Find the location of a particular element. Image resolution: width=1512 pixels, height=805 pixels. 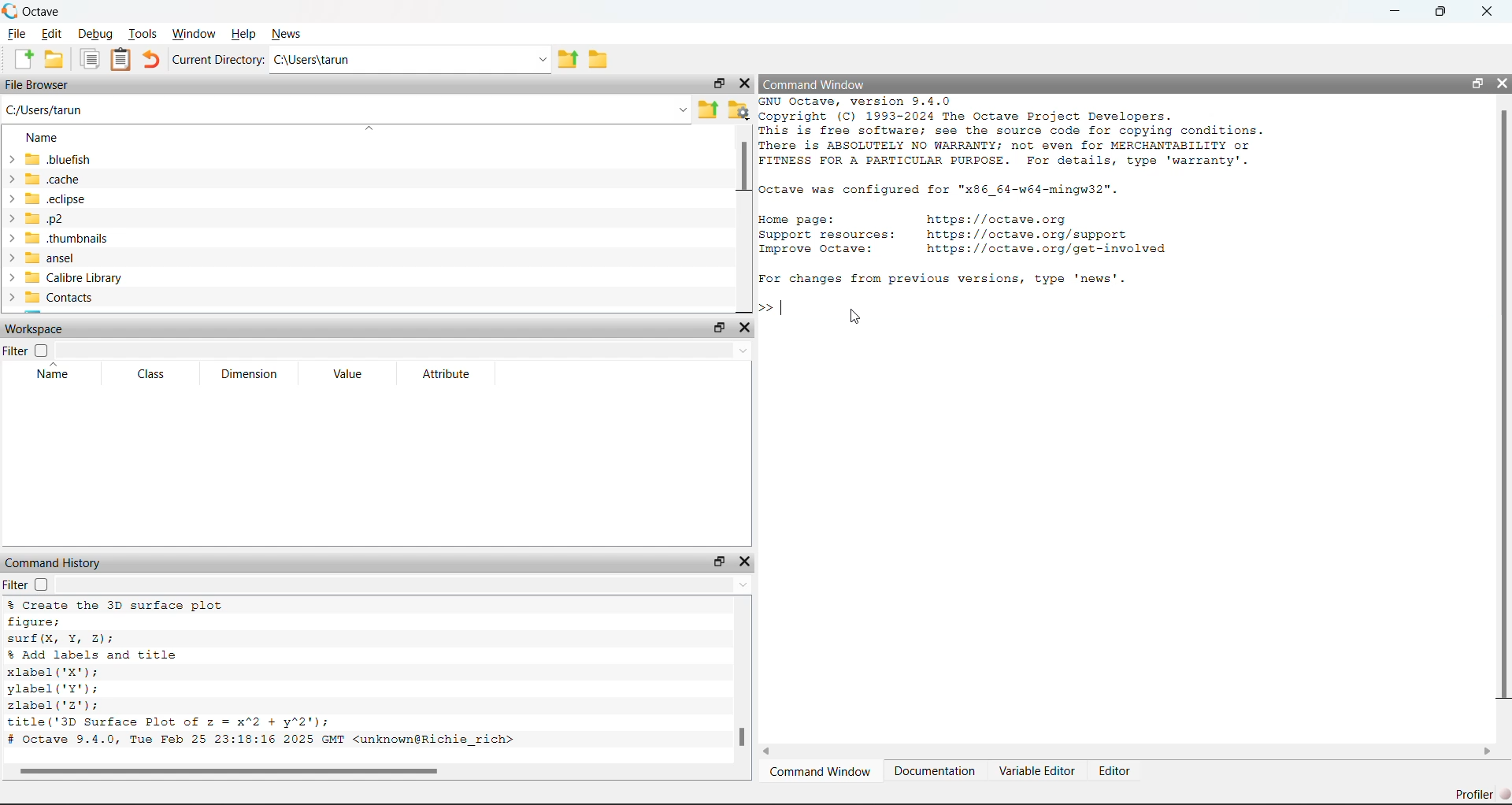

Checkbox is located at coordinates (42, 584).